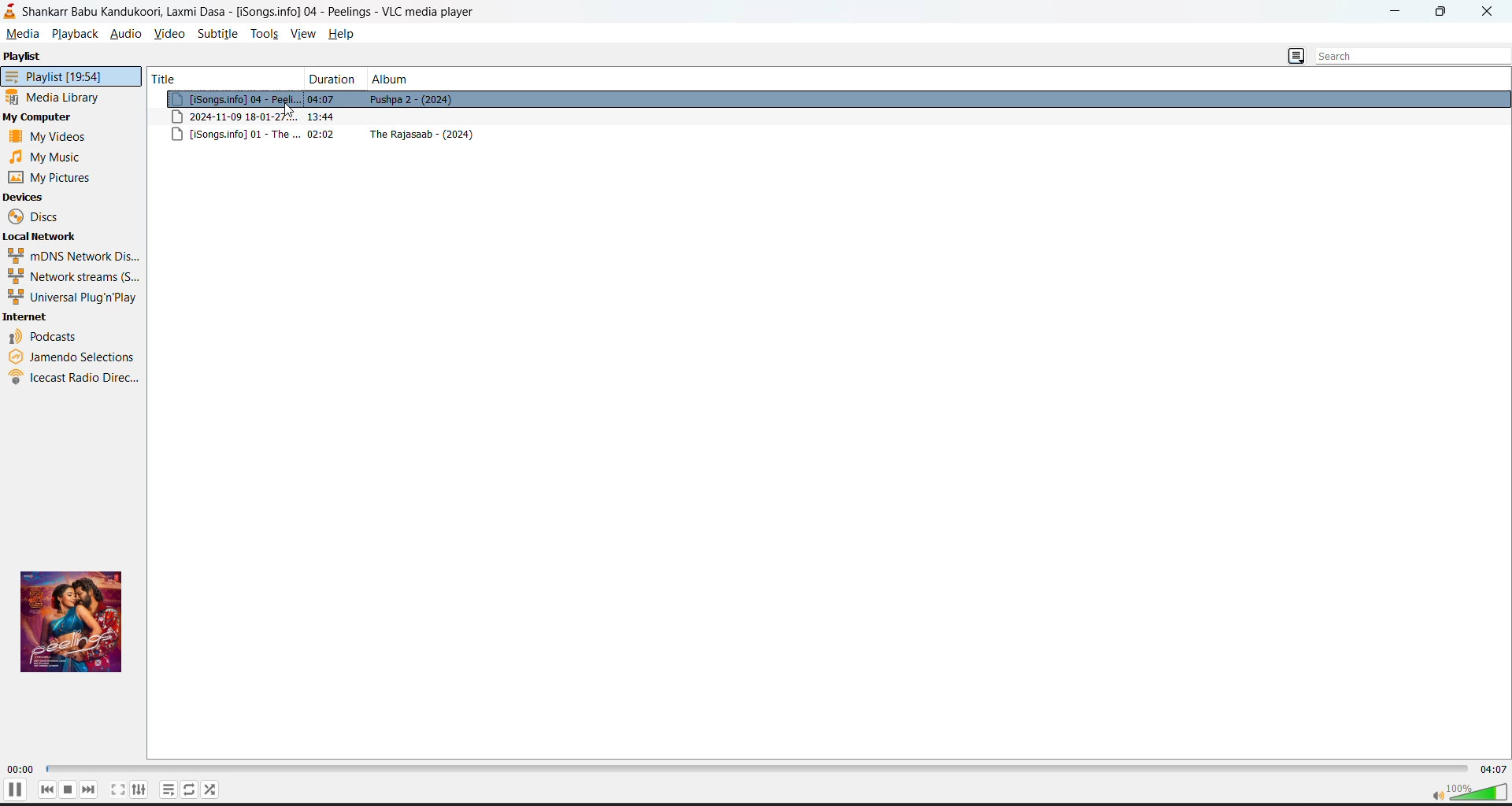 The height and width of the screenshot is (806, 1512). Describe the element at coordinates (71, 76) in the screenshot. I see `playlist` at that location.